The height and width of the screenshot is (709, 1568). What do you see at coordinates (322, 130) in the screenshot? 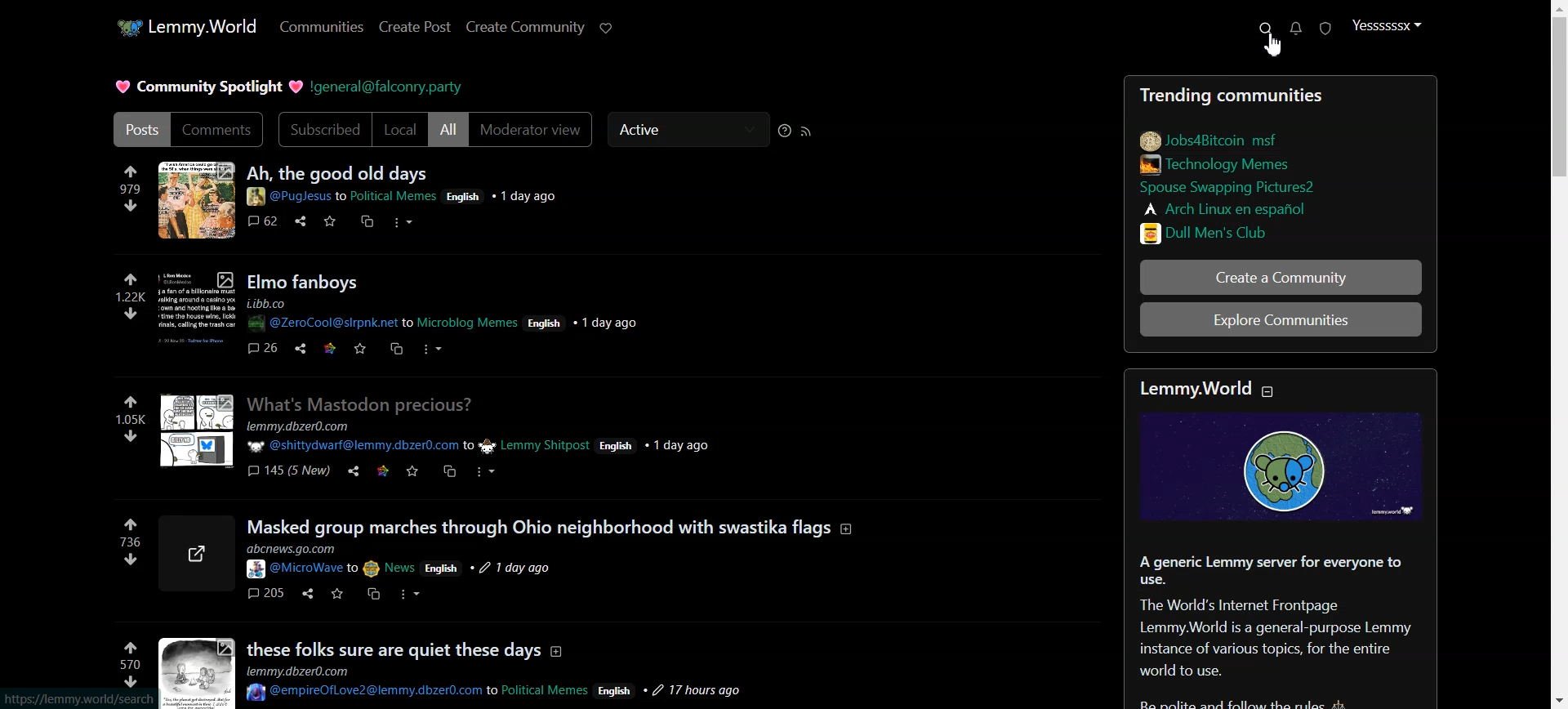
I see `Subscribed` at bounding box center [322, 130].